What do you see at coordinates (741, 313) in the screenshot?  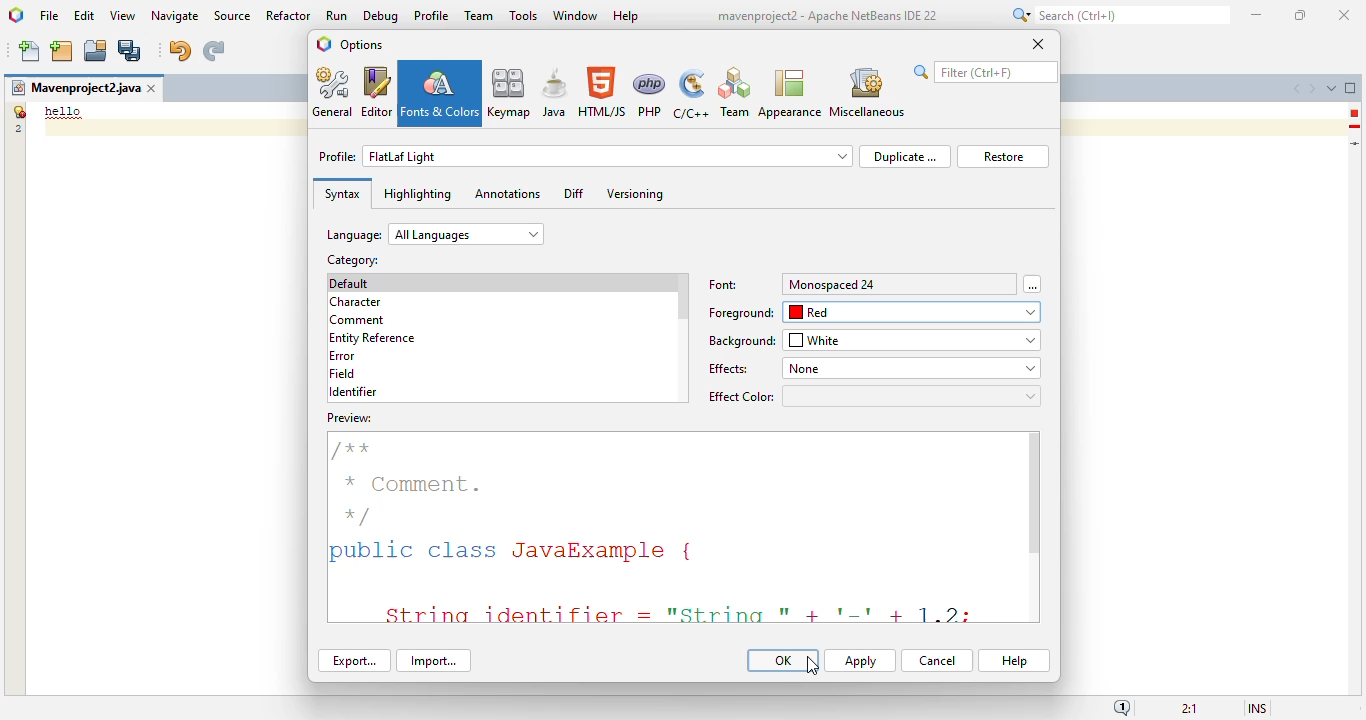 I see `foreground: ` at bounding box center [741, 313].